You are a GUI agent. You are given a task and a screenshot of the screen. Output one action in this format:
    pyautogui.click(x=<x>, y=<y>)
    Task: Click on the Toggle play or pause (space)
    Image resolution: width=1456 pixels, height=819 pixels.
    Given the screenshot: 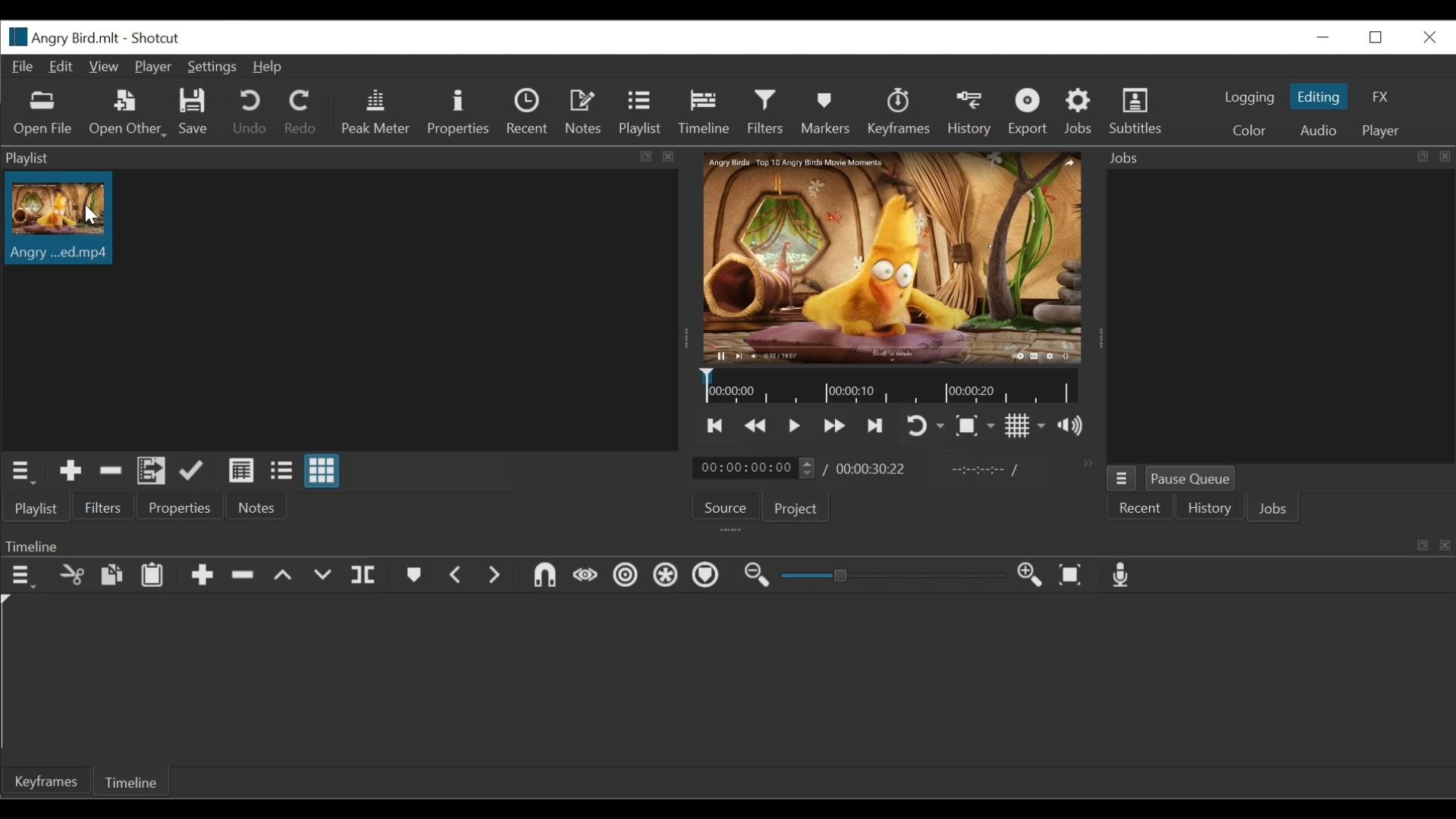 What is the action you would take?
    pyautogui.click(x=794, y=426)
    